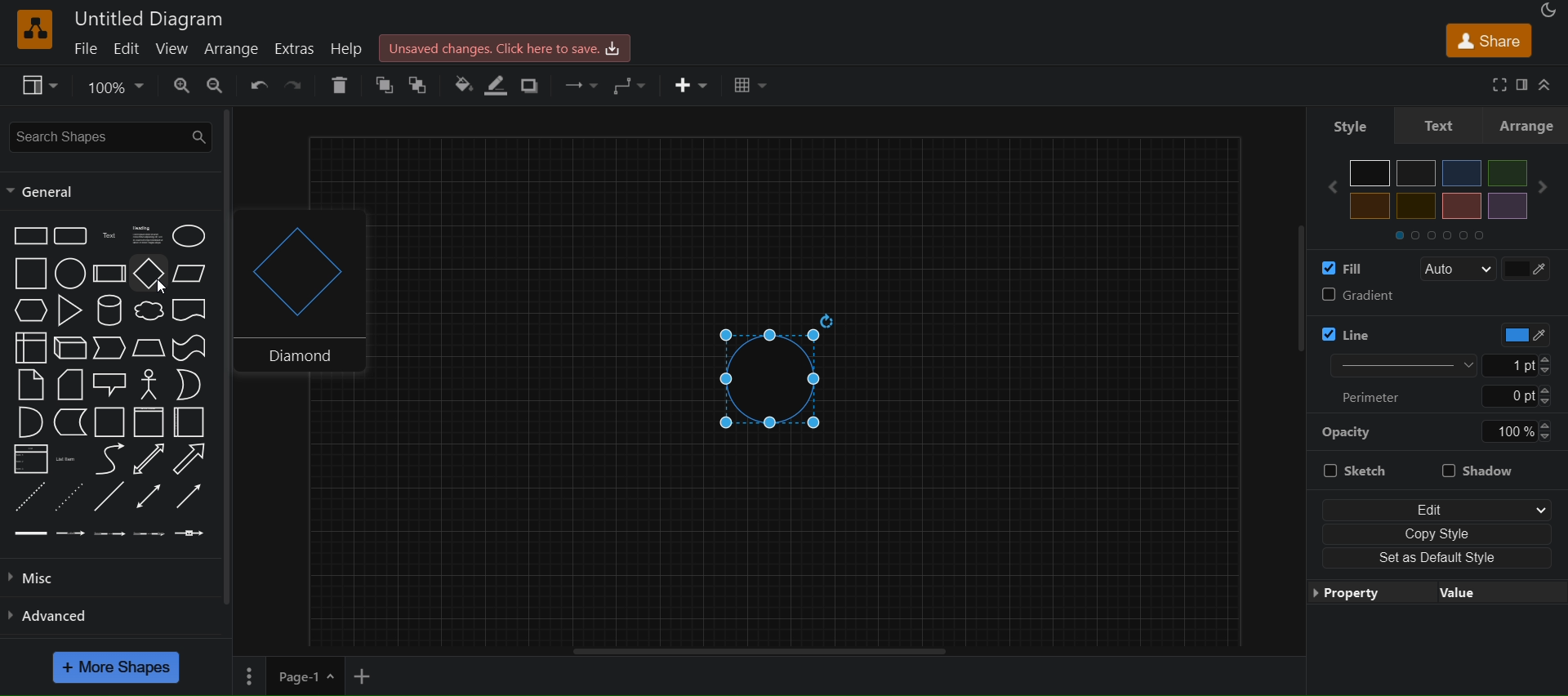 The width and height of the screenshot is (1568, 696). What do you see at coordinates (1524, 85) in the screenshot?
I see `format` at bounding box center [1524, 85].